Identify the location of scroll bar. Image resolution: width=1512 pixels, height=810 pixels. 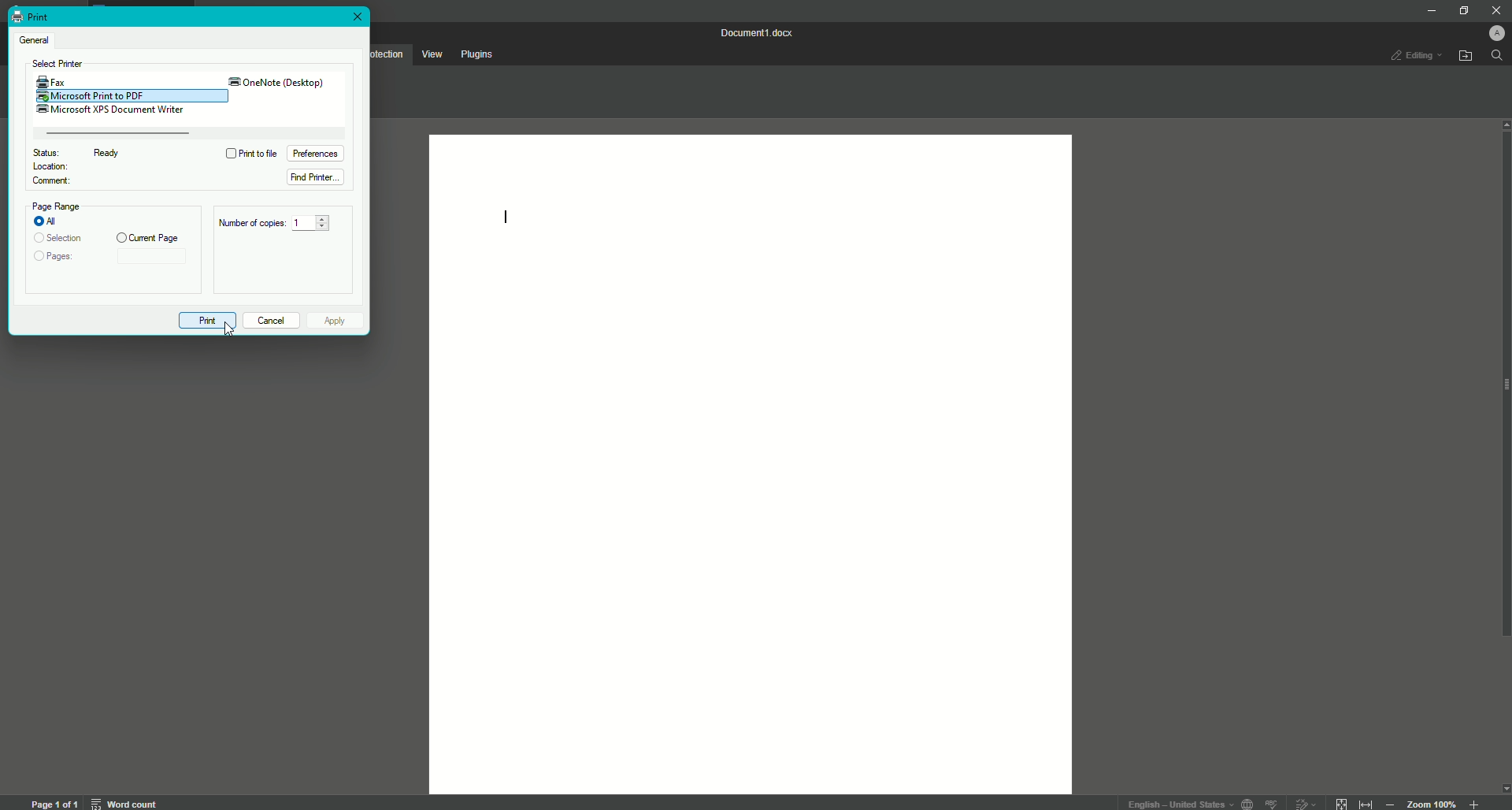
(1503, 398).